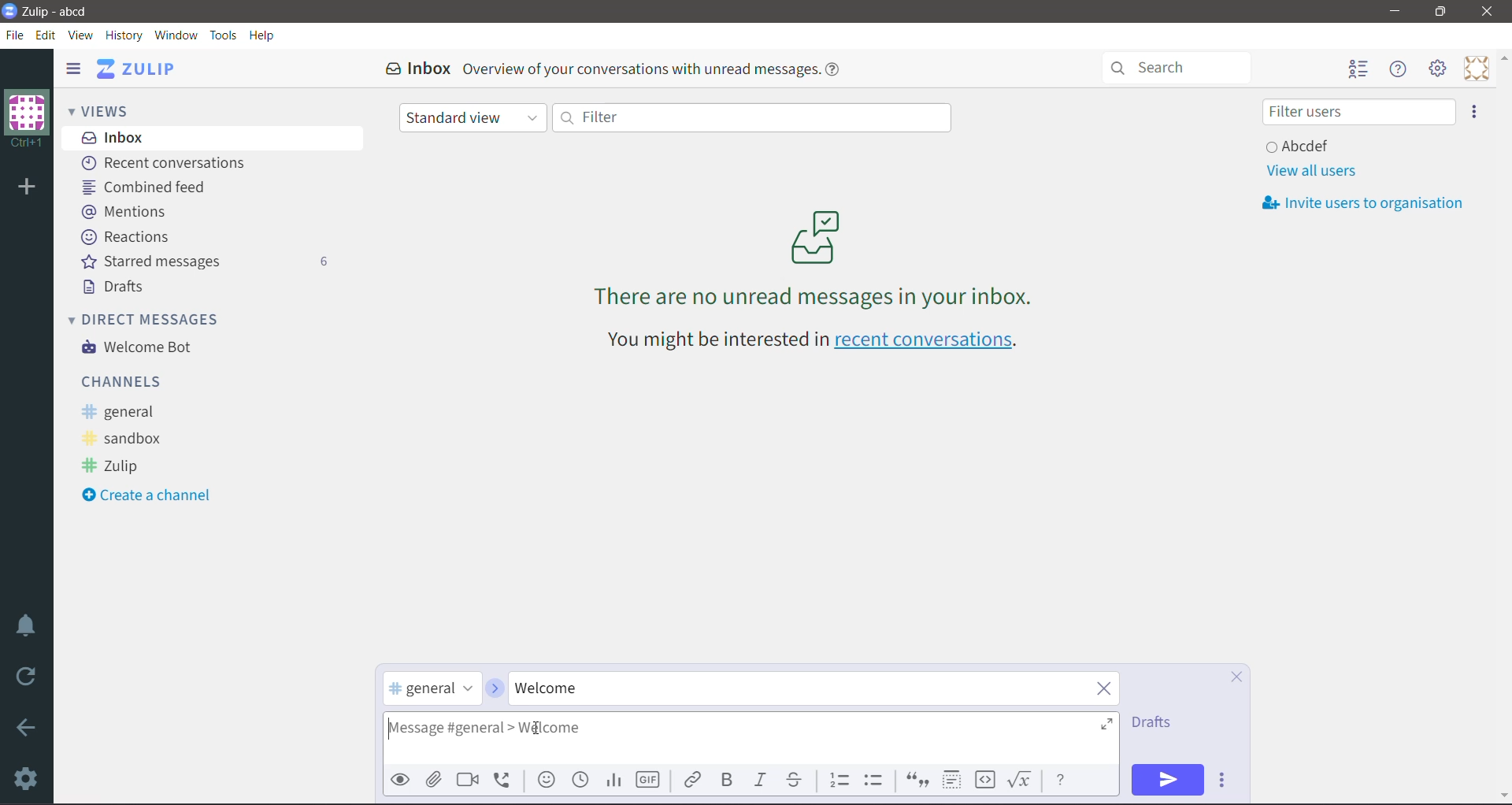  I want to click on Bulleted list, so click(877, 780).